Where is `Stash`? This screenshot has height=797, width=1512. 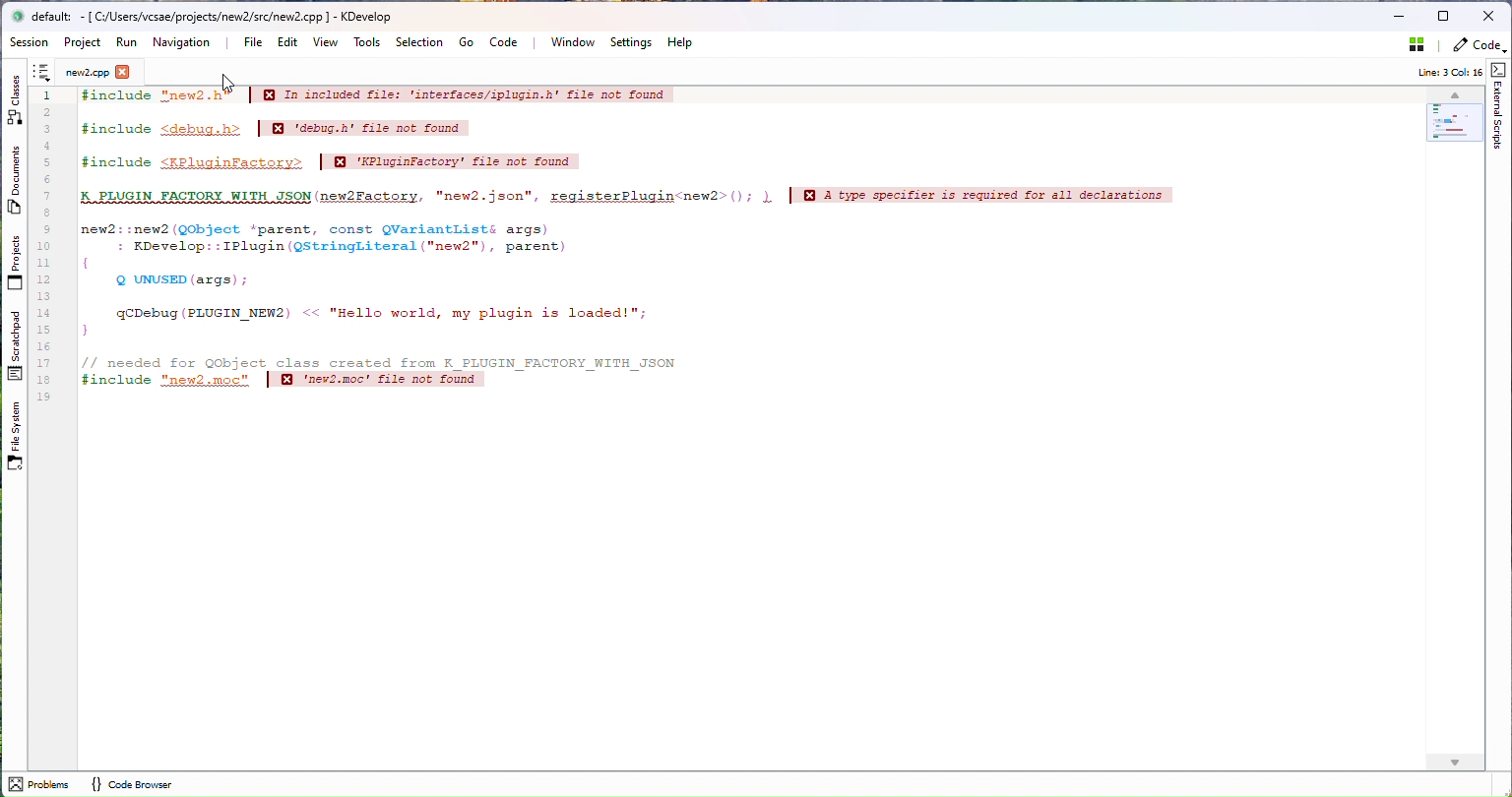 Stash is located at coordinates (1417, 45).